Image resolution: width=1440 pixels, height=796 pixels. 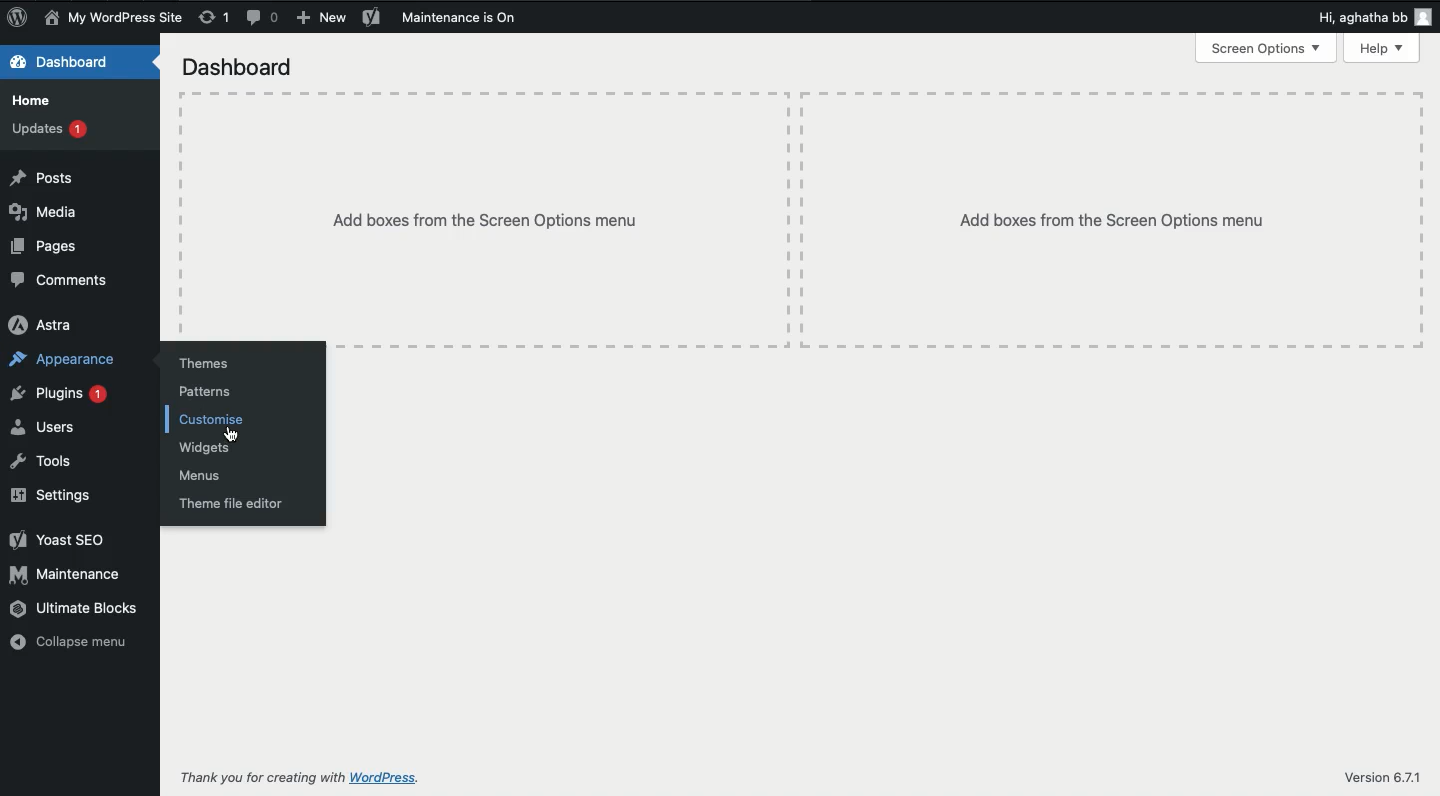 I want to click on Astra, so click(x=44, y=325).